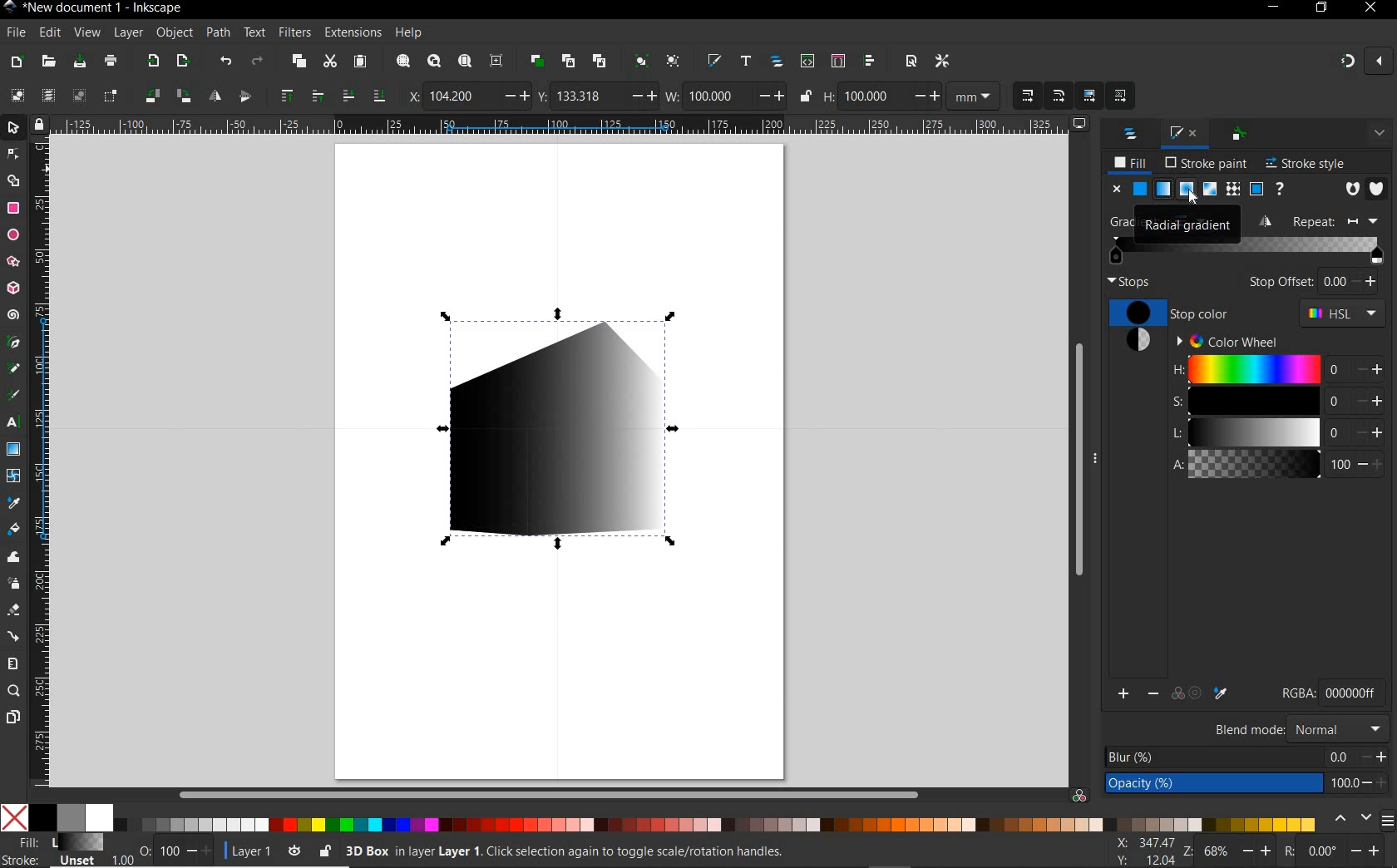  I want to click on OPACITY, so click(146, 848).